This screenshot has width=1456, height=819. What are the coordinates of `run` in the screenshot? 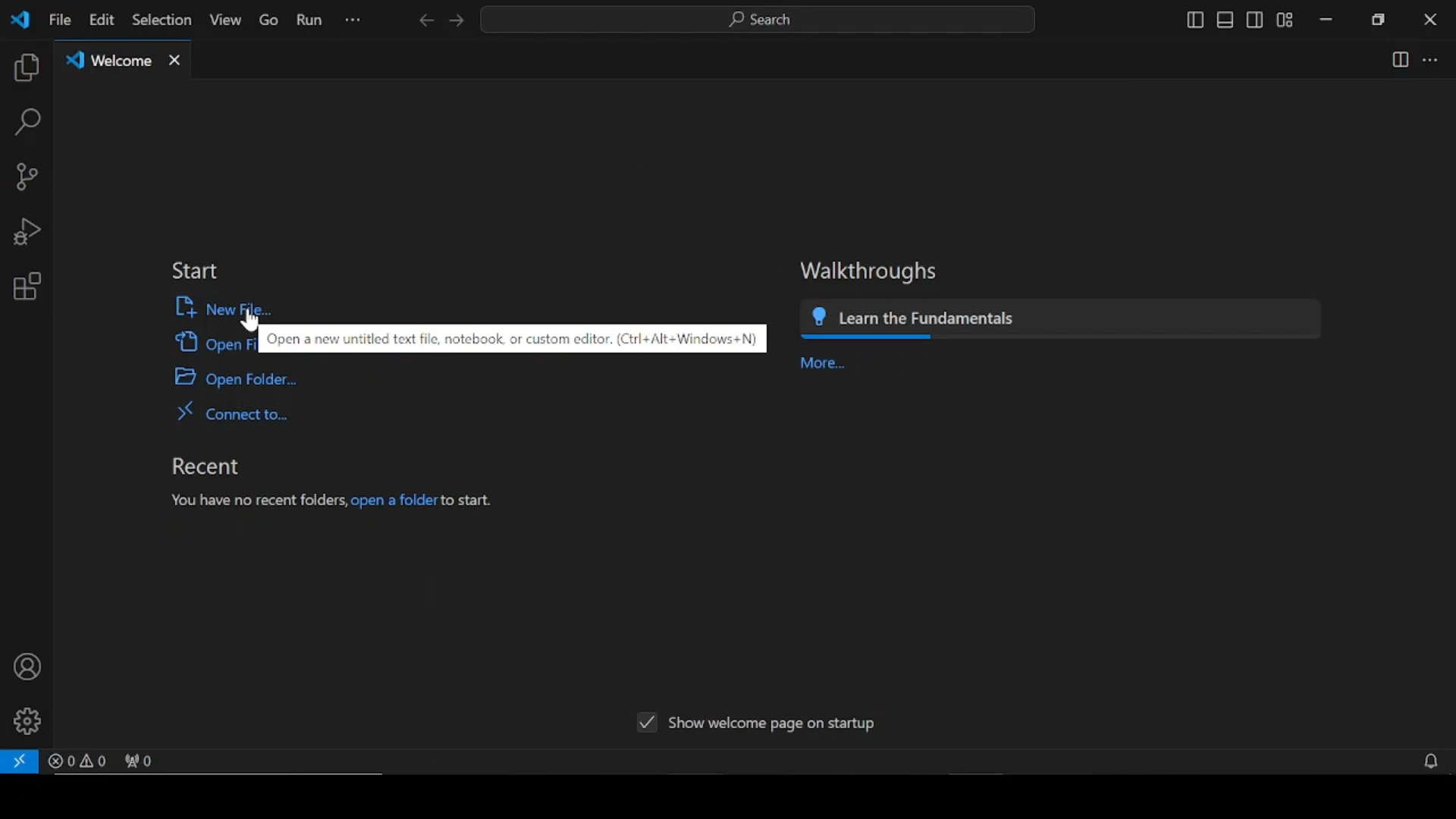 It's located at (309, 20).